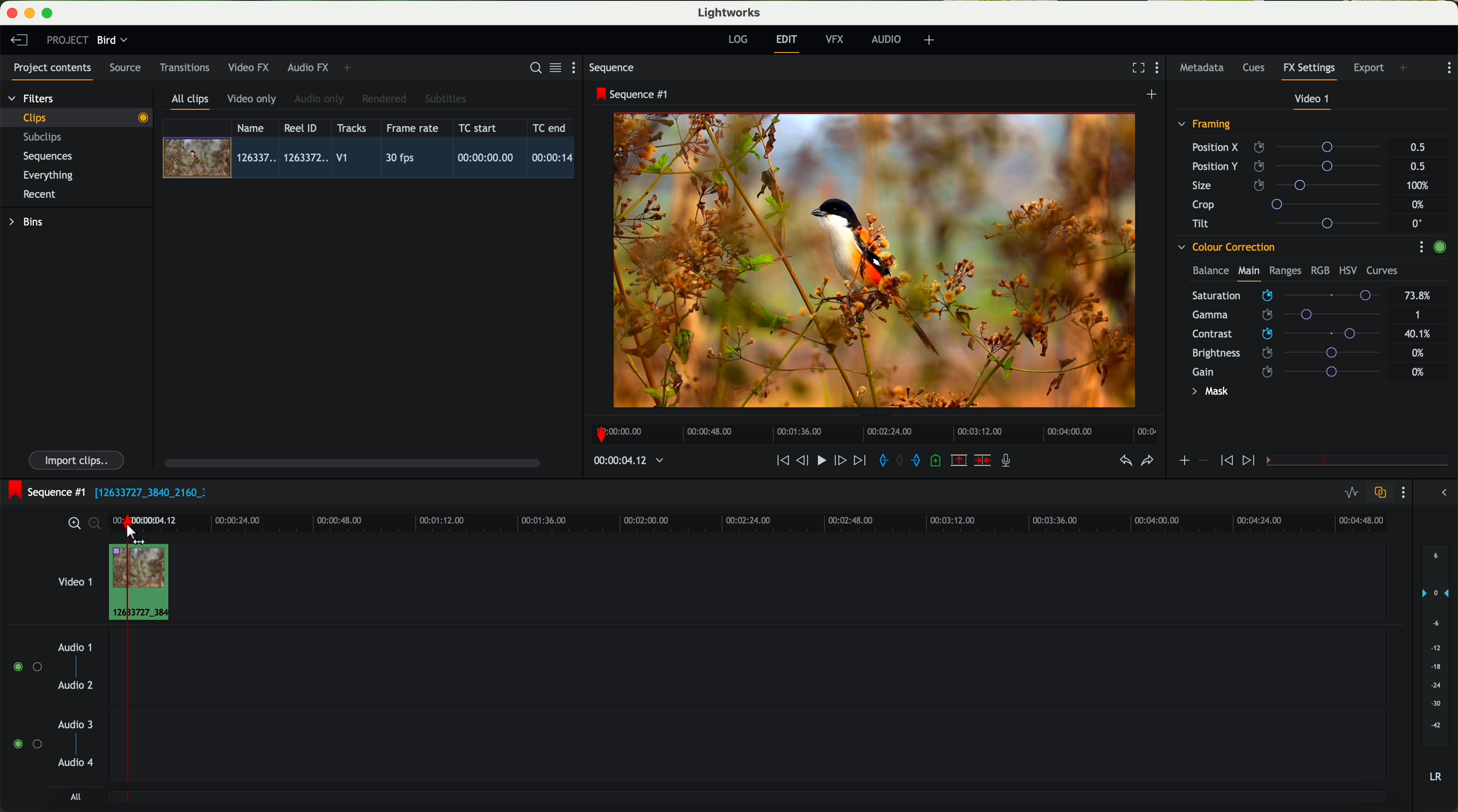 The image size is (1458, 812). Describe the element at coordinates (837, 40) in the screenshot. I see `VFX` at that location.